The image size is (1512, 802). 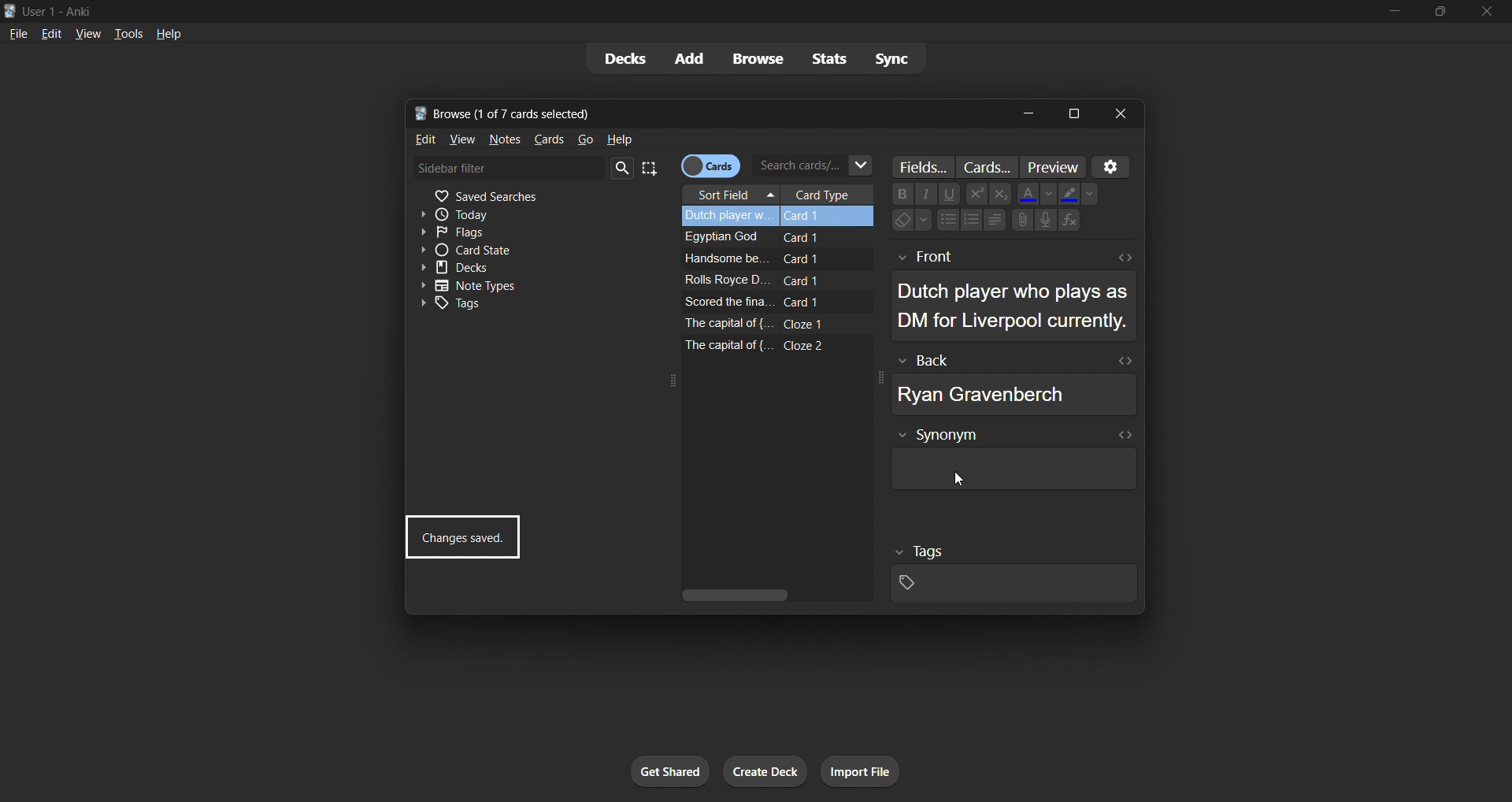 What do you see at coordinates (1051, 167) in the screenshot?
I see `preview cards` at bounding box center [1051, 167].